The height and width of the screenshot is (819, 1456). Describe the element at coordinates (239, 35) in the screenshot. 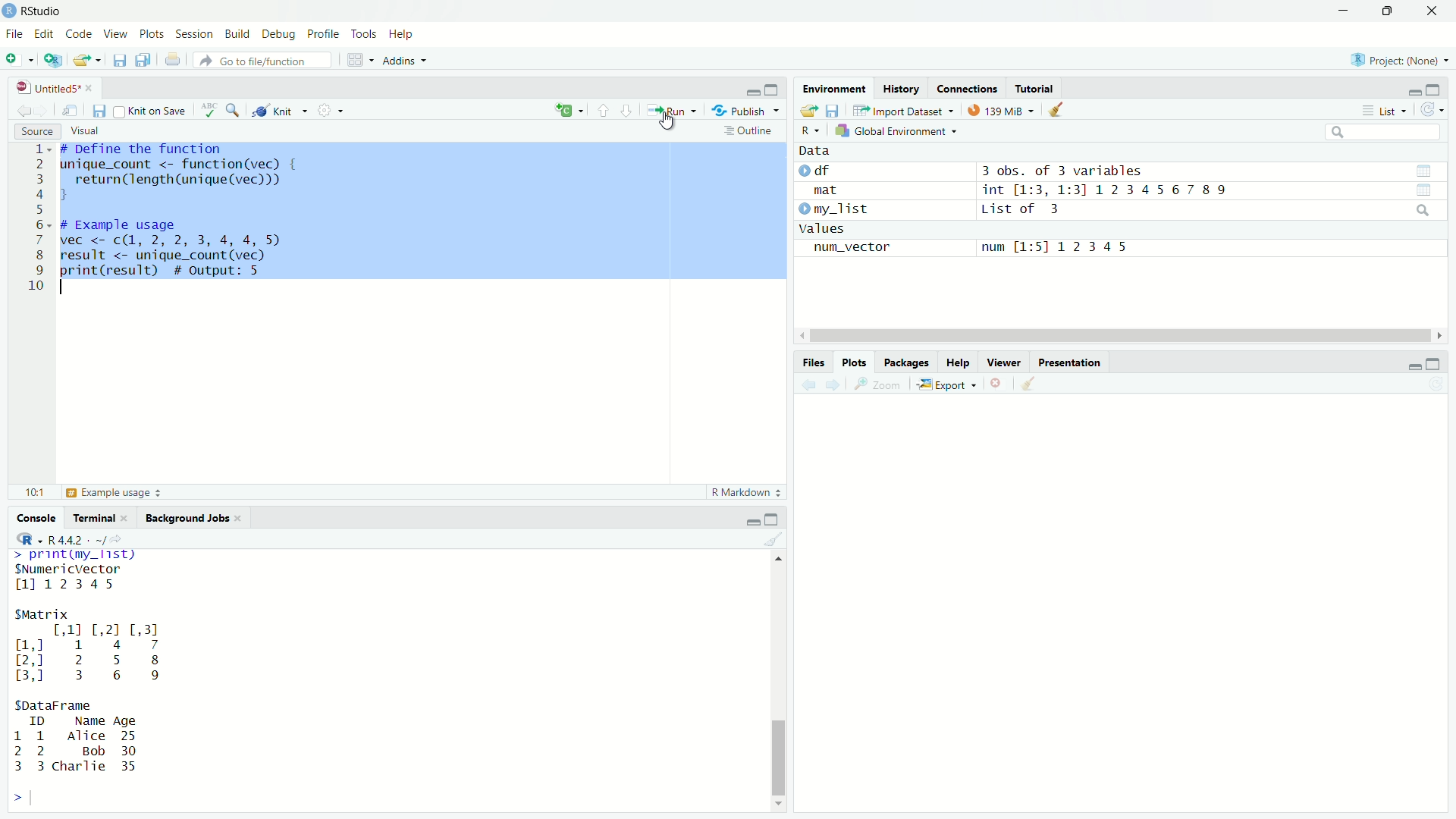

I see `Build` at that location.